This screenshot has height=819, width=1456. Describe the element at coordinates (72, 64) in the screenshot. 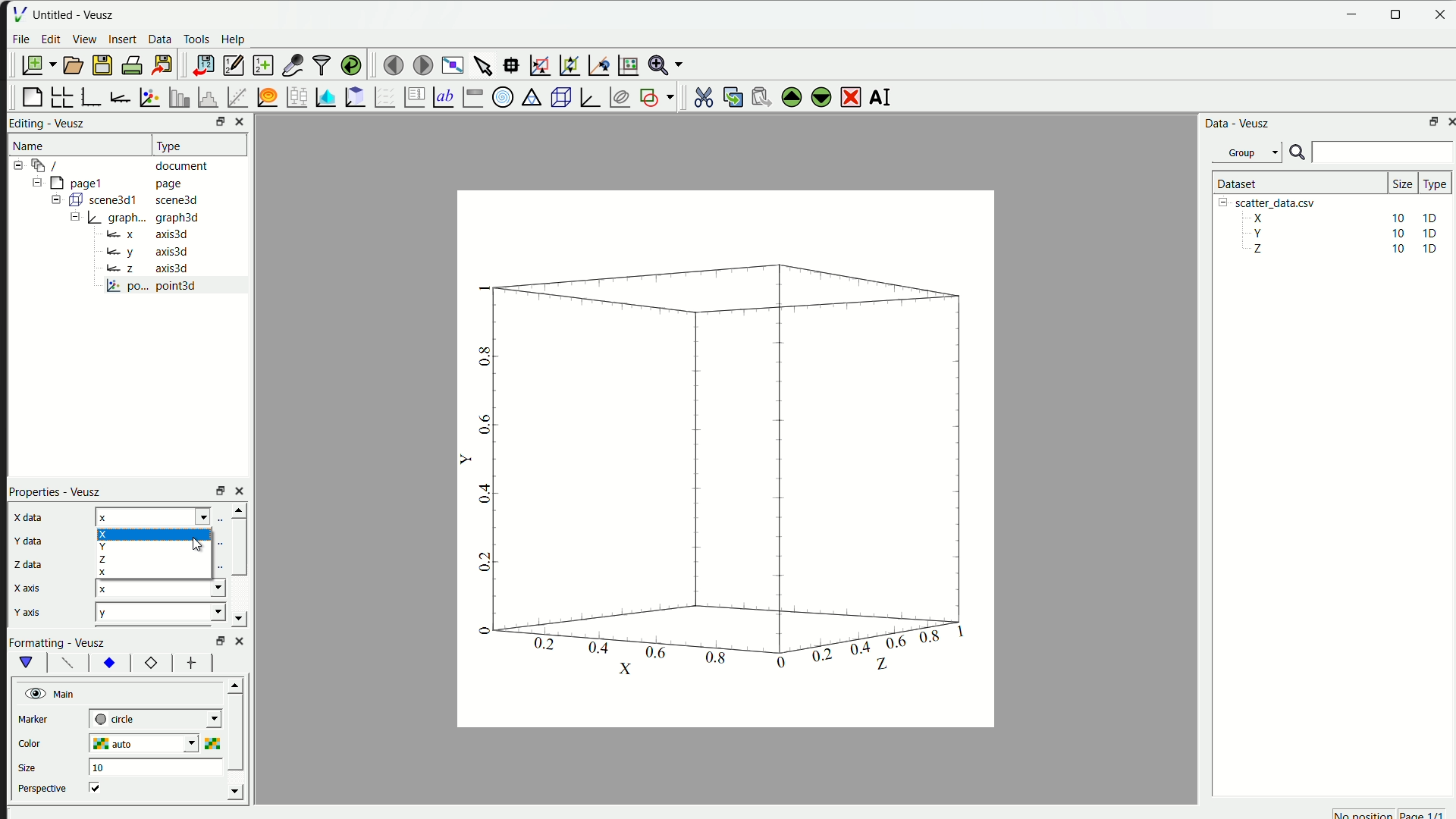

I see `open a document` at that location.